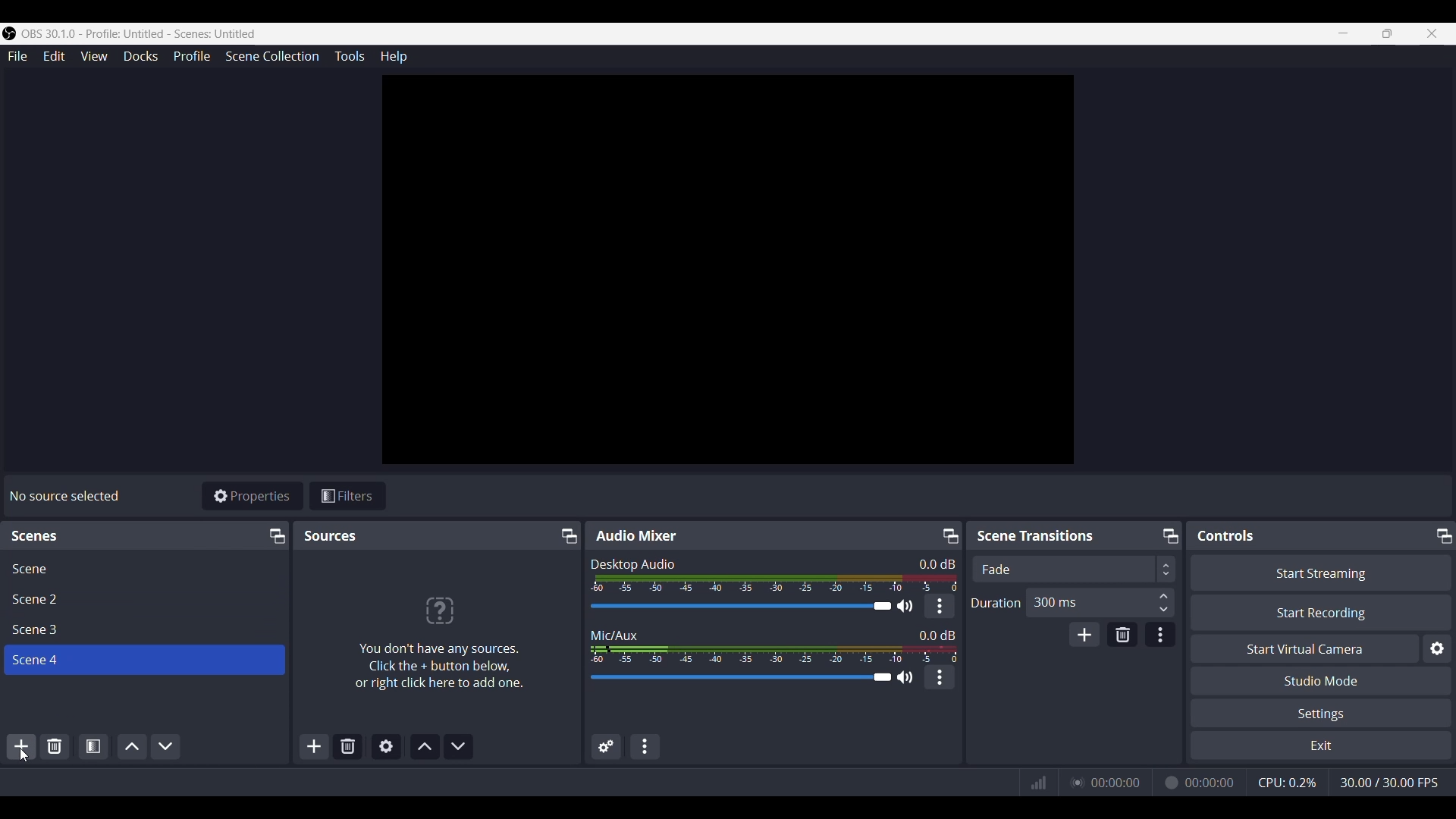  What do you see at coordinates (385, 747) in the screenshot?
I see `Open Source Properties` at bounding box center [385, 747].